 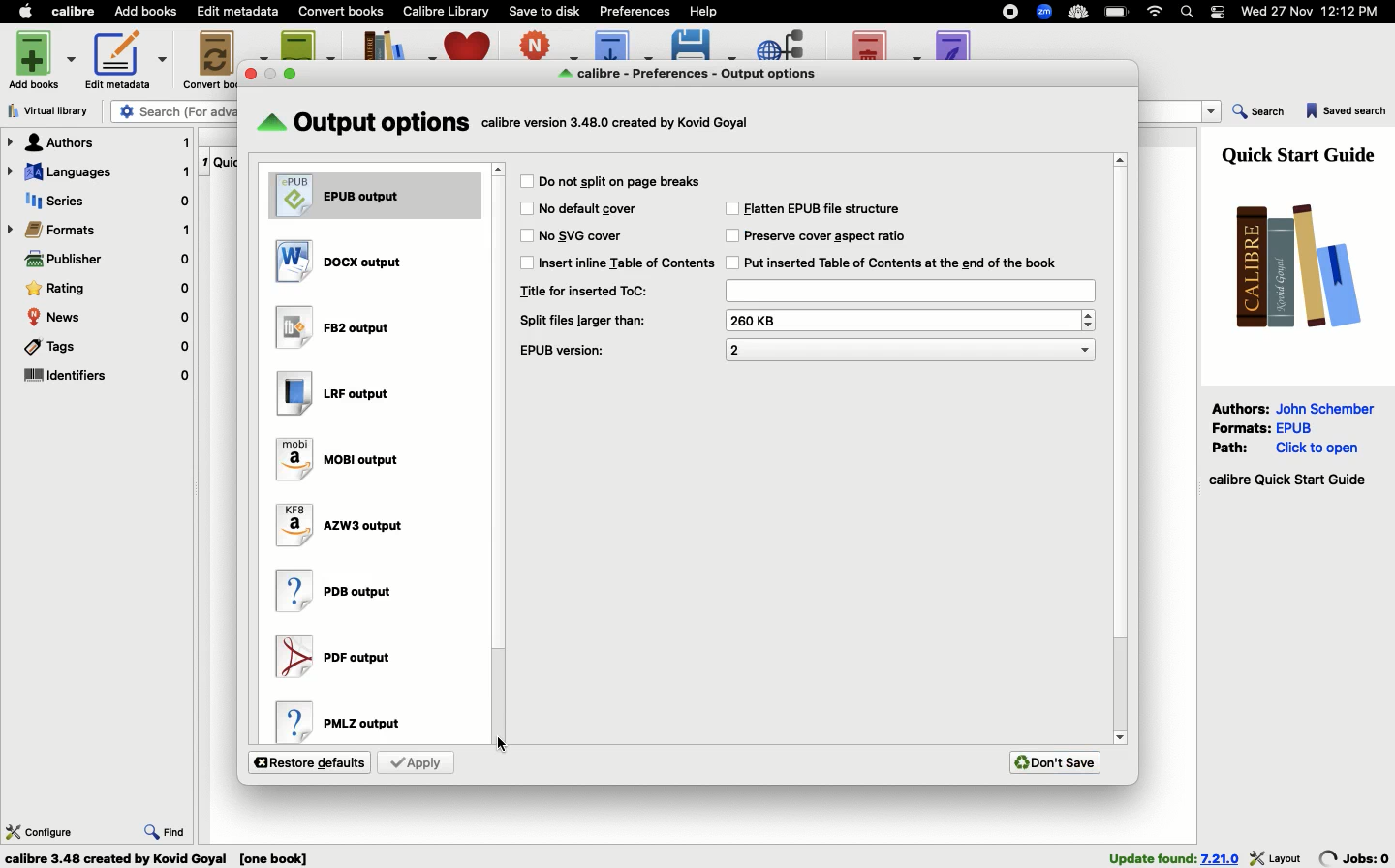 What do you see at coordinates (829, 209) in the screenshot?
I see `Flatten EPUB file structure` at bounding box center [829, 209].